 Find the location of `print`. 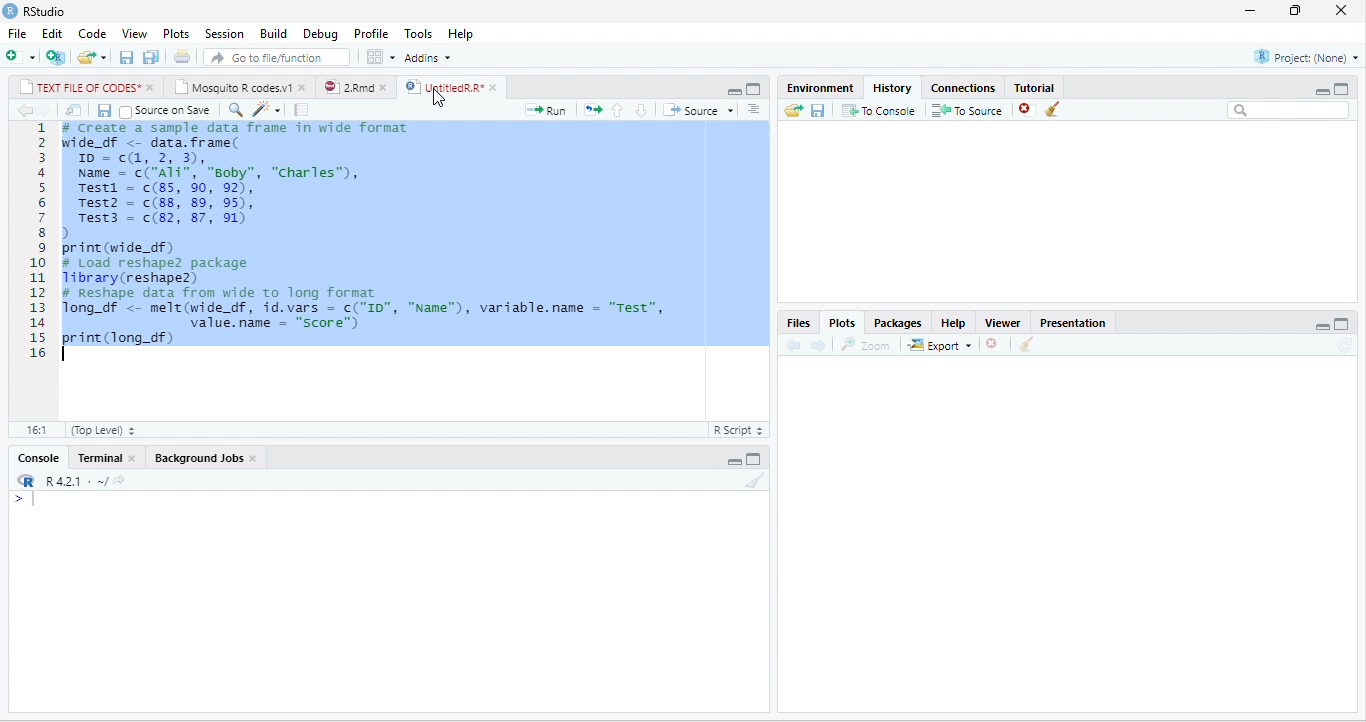

print is located at coordinates (183, 57).